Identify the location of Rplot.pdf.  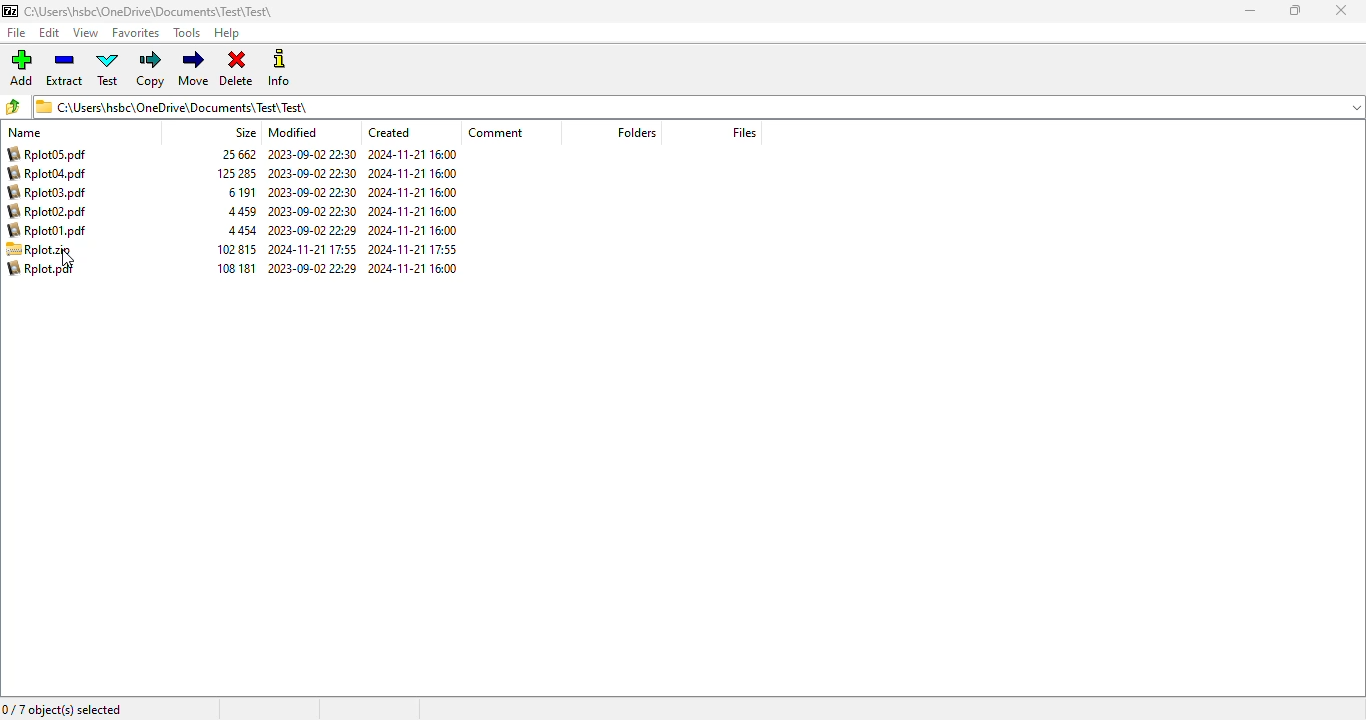
(42, 268).